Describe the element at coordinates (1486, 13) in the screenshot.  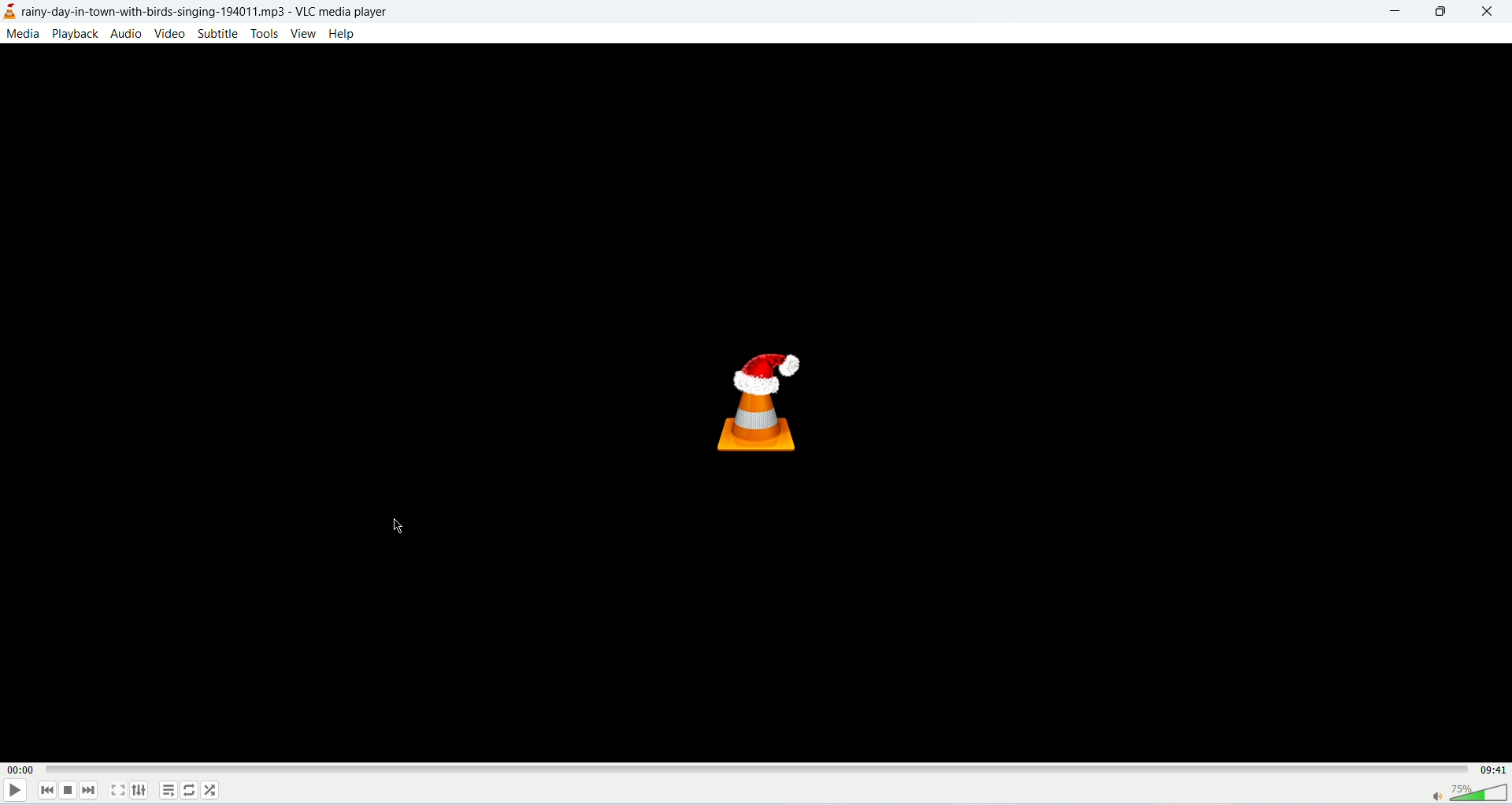
I see `close` at that location.